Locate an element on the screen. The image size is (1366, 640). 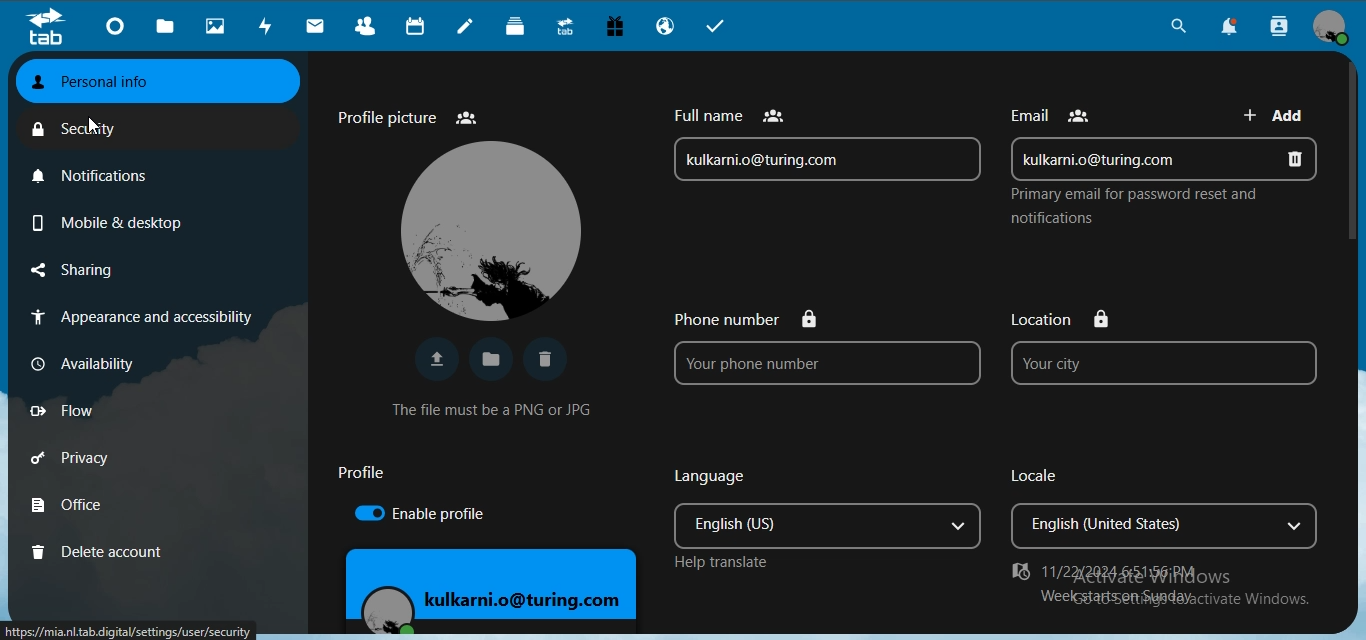
profile is located at coordinates (367, 474).